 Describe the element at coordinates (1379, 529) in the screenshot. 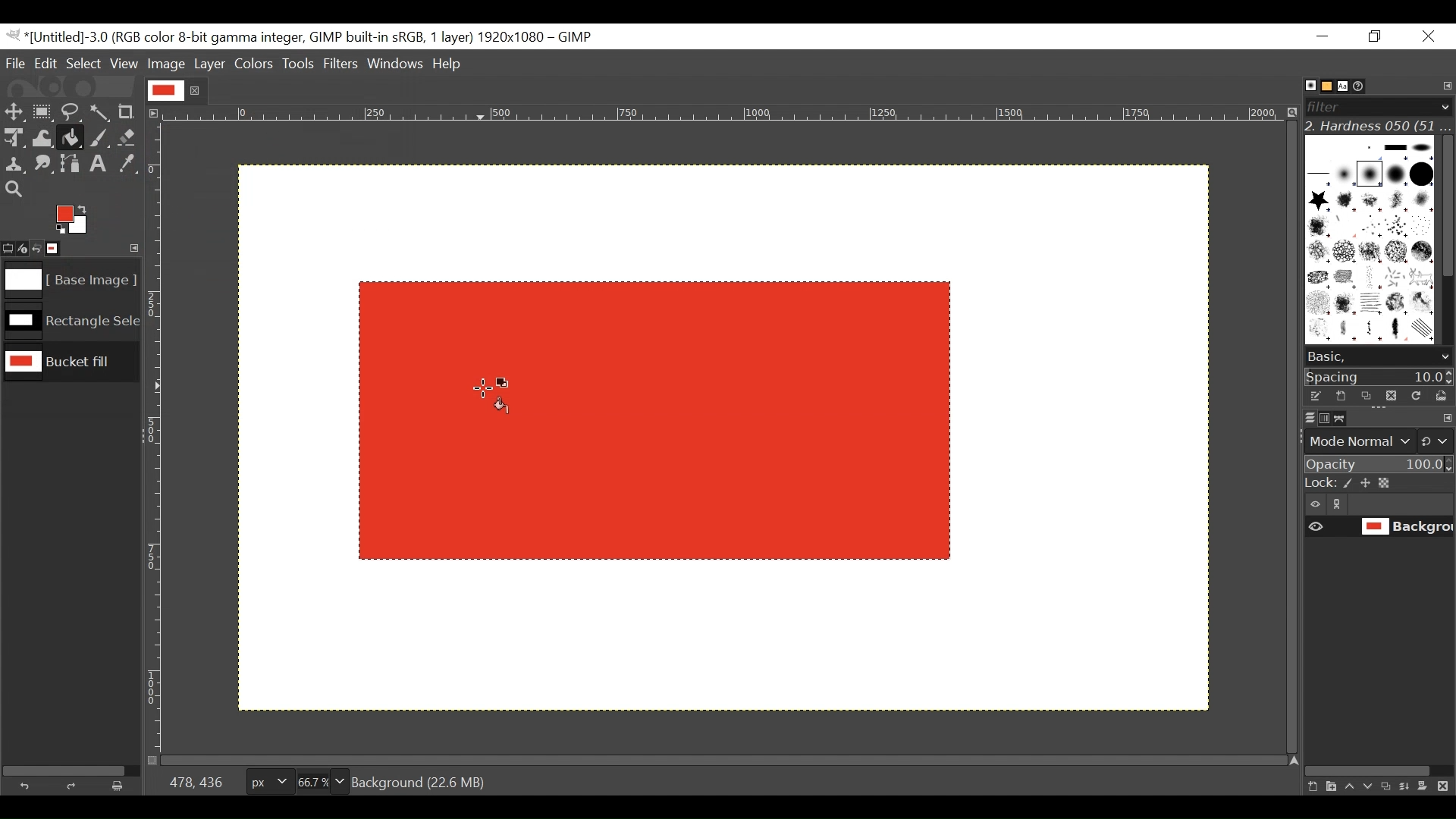

I see `(un)select item visibility background` at that location.